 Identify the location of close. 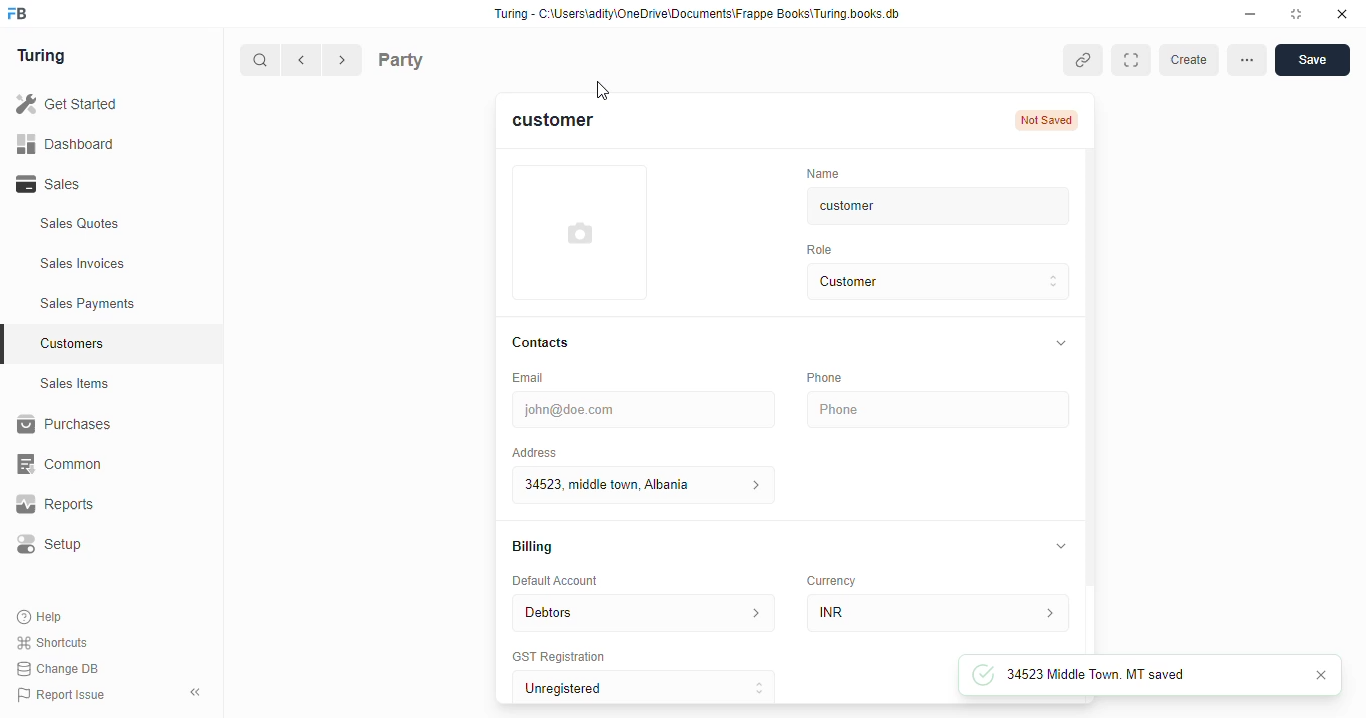
(1313, 676).